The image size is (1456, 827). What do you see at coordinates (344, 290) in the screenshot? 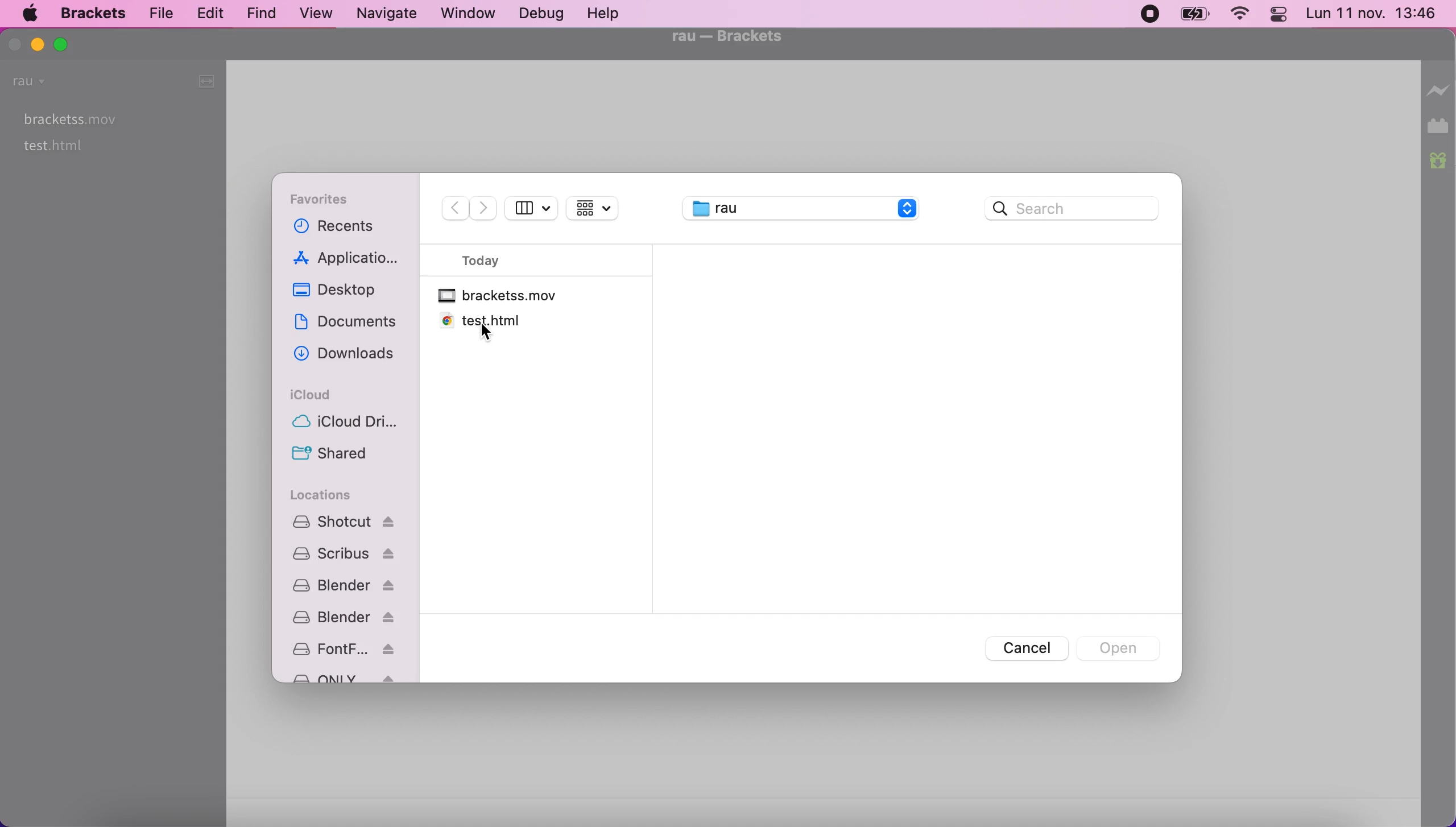
I see `desktop` at bounding box center [344, 290].